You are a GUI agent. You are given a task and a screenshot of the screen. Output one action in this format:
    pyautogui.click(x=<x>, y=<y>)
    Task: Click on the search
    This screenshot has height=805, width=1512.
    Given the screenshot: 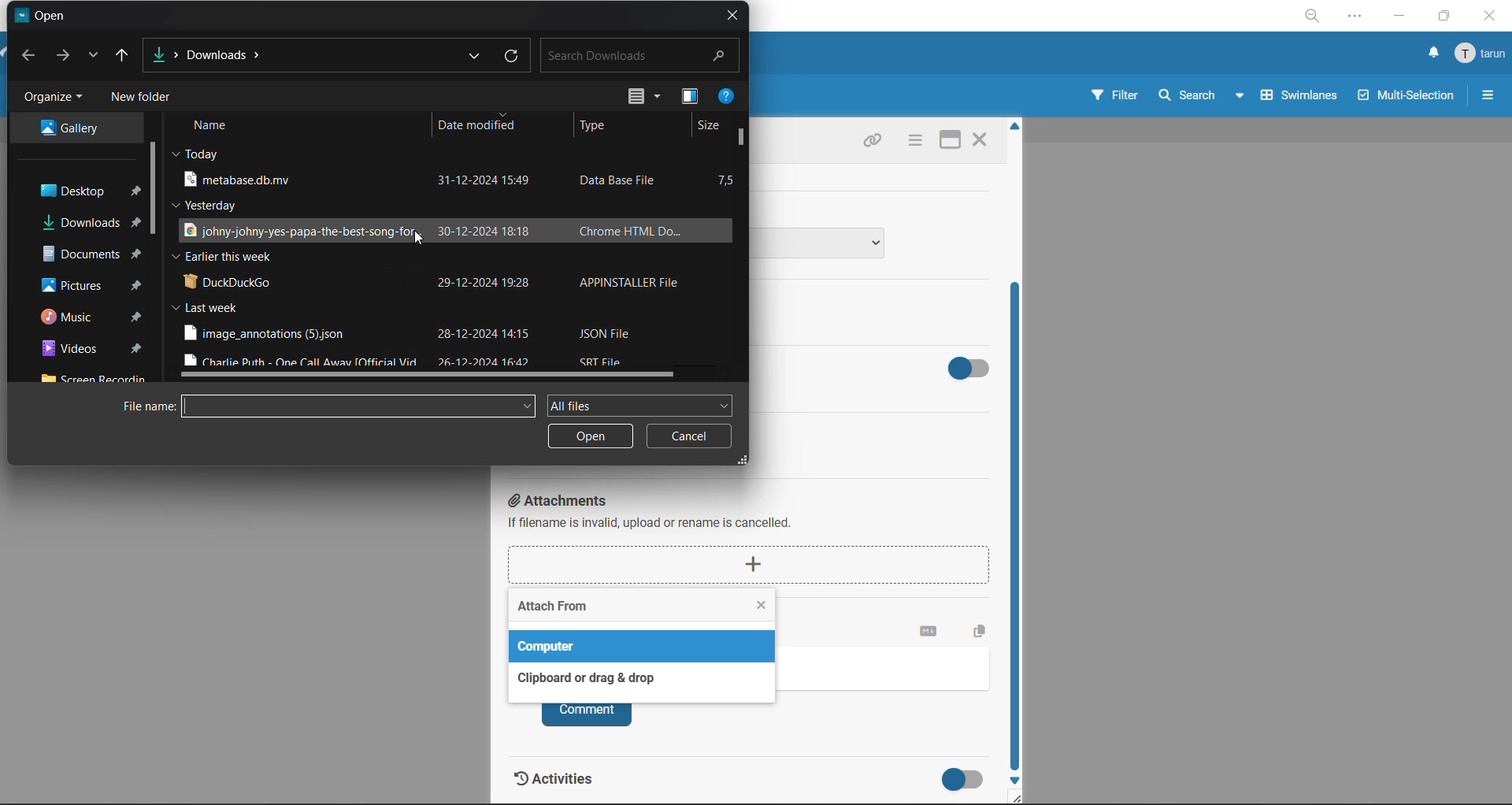 What is the action you would take?
    pyautogui.click(x=641, y=56)
    